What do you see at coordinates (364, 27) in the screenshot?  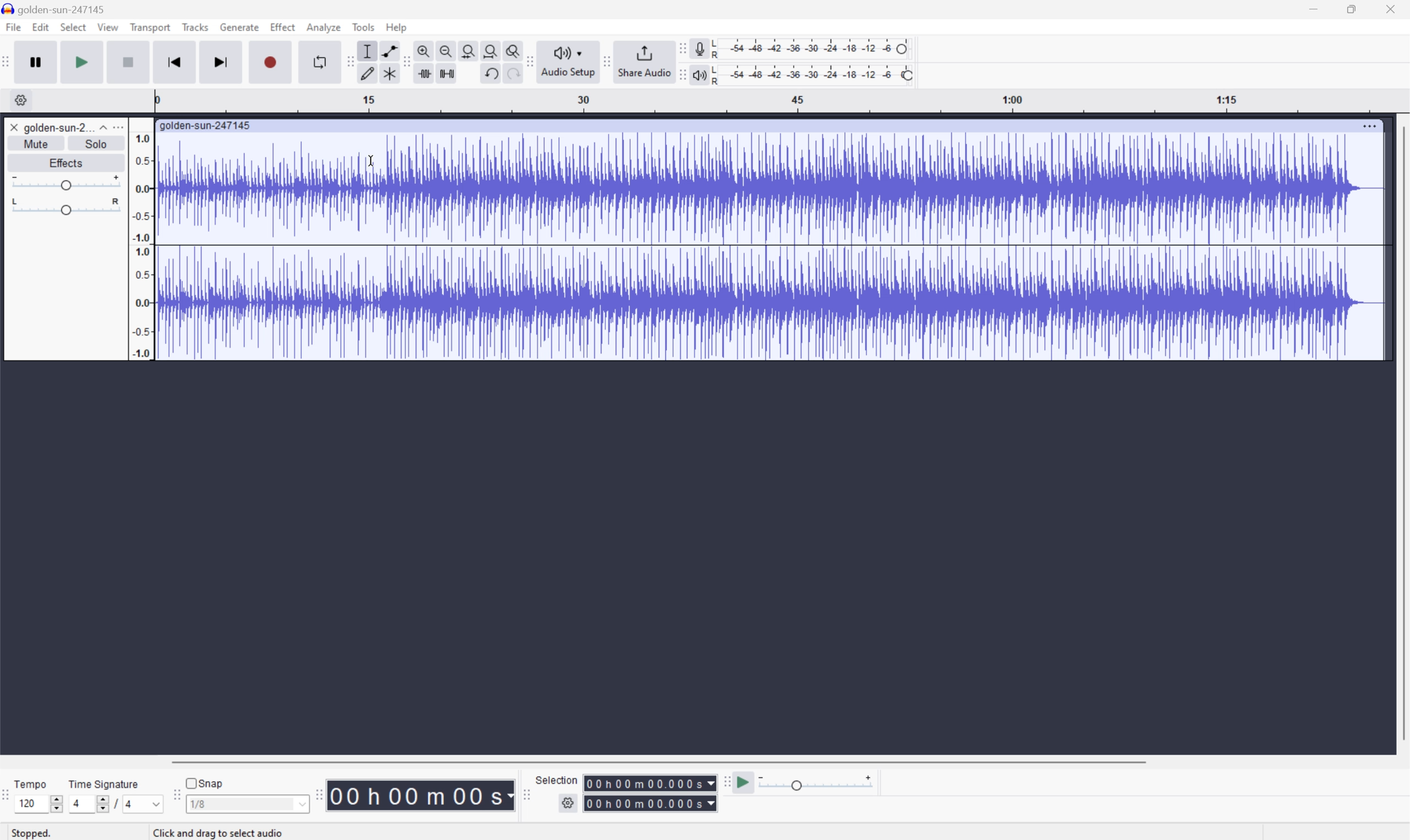 I see `Tools` at bounding box center [364, 27].